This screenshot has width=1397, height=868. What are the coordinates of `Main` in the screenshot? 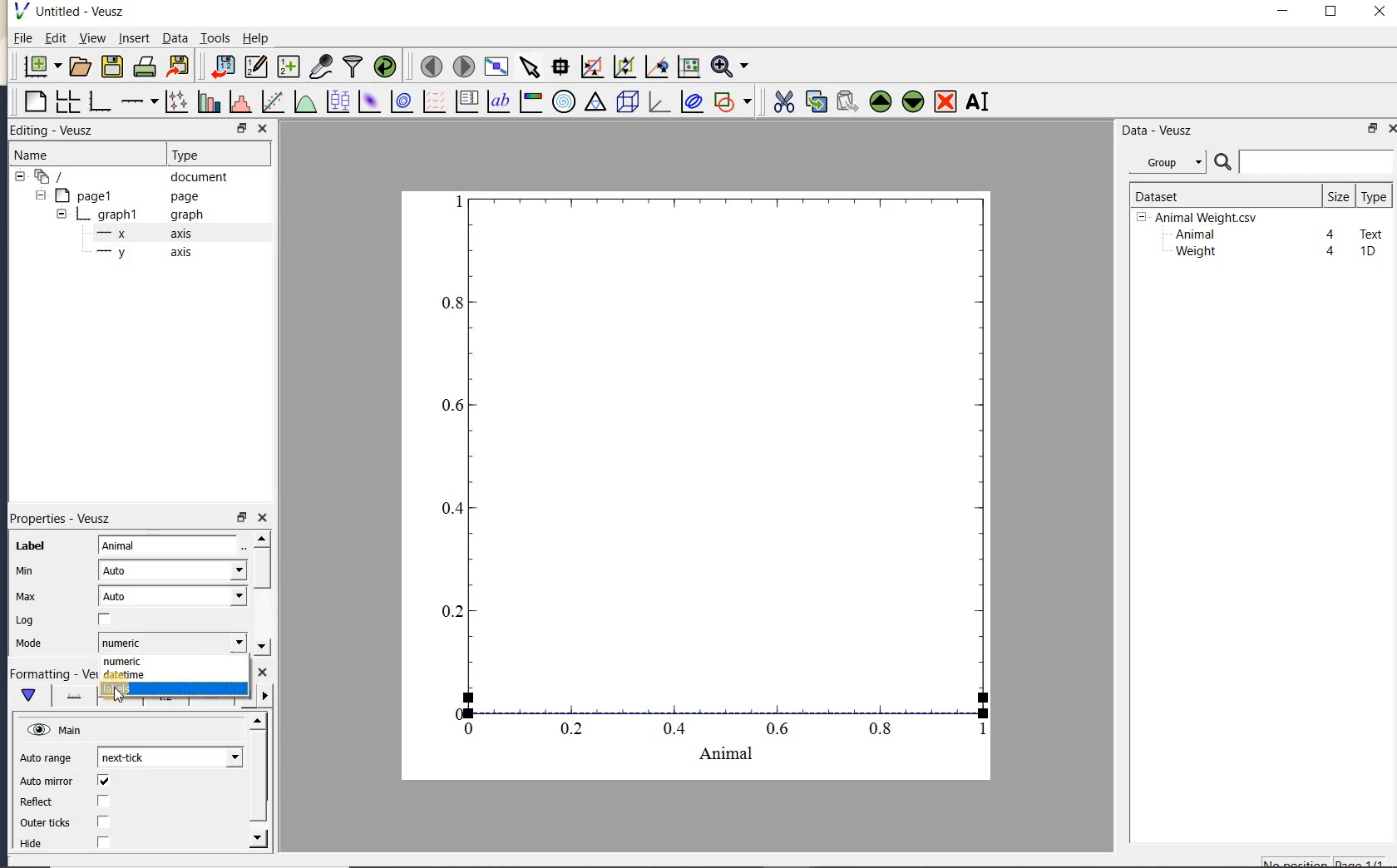 It's located at (57, 731).